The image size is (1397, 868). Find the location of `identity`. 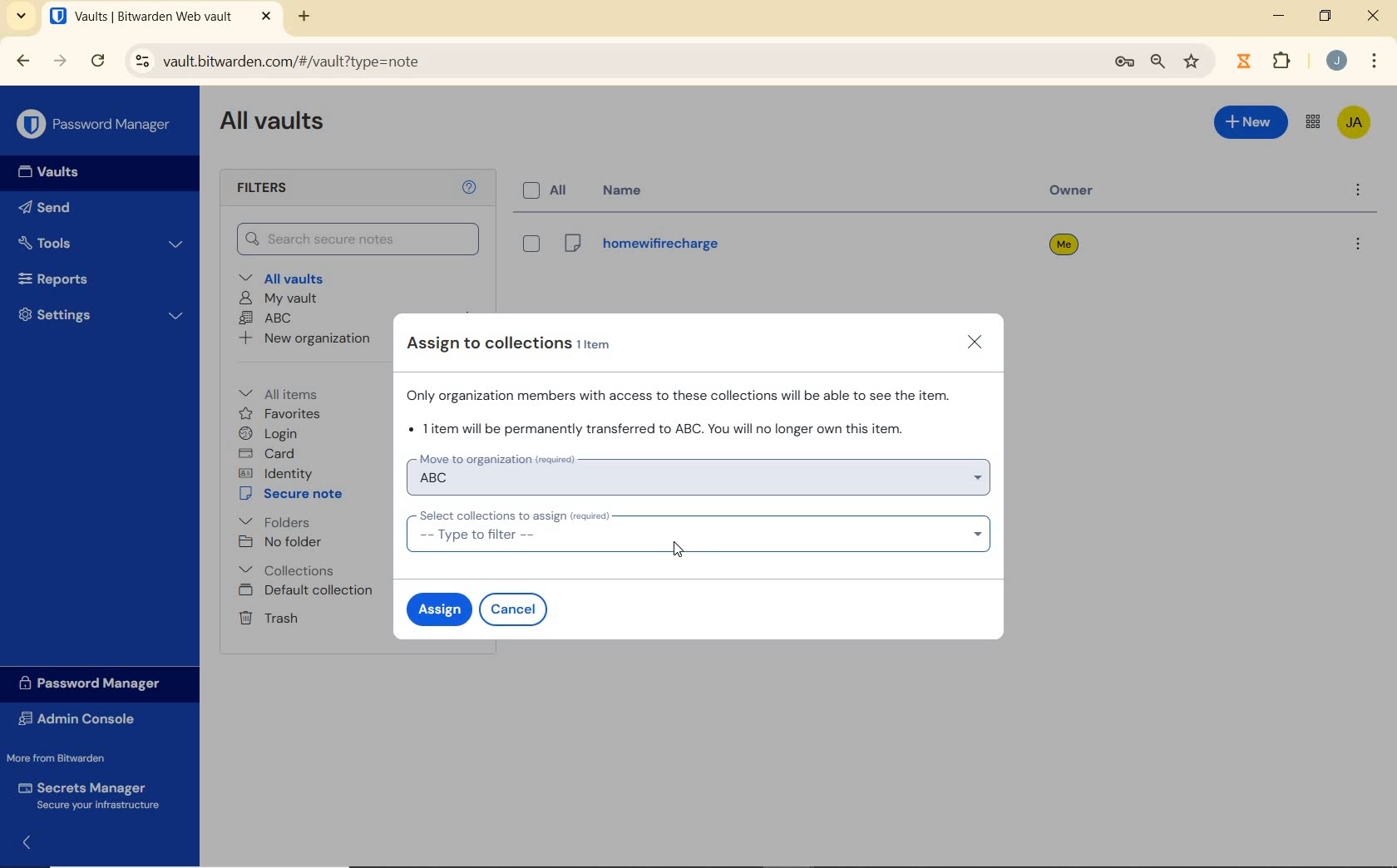

identity is located at coordinates (275, 472).